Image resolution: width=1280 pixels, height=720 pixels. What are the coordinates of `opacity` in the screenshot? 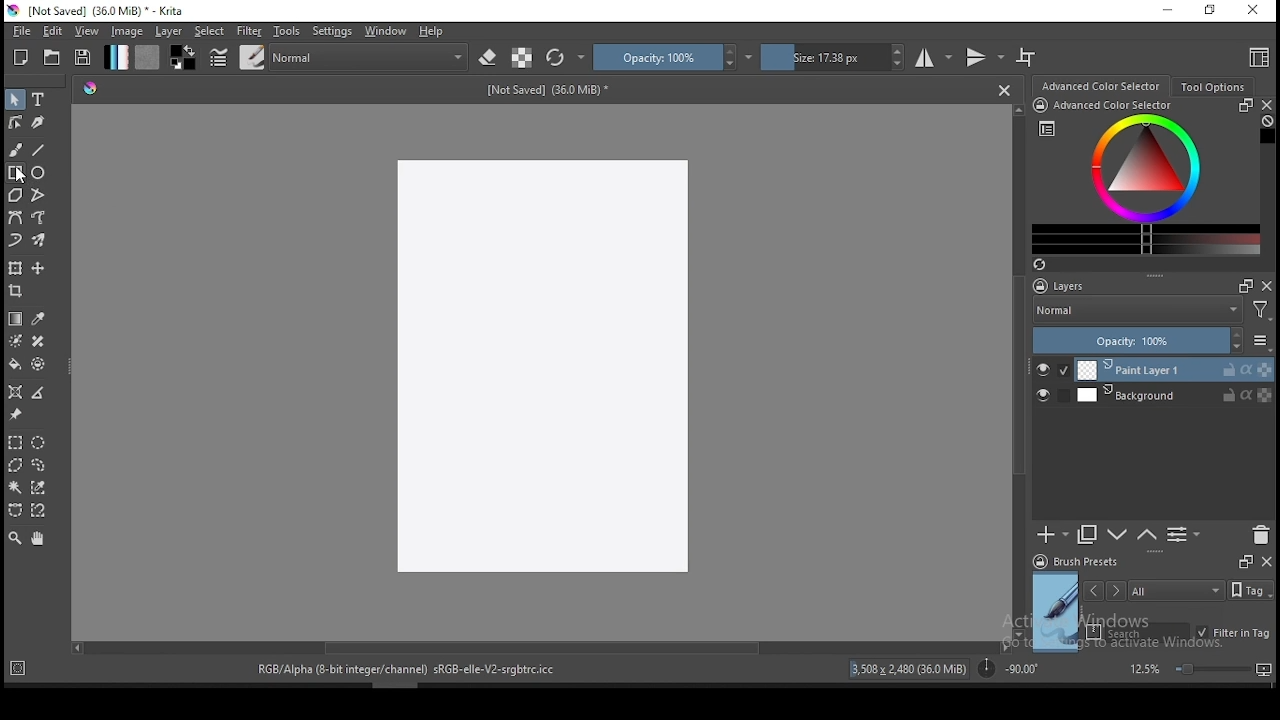 It's located at (673, 57).